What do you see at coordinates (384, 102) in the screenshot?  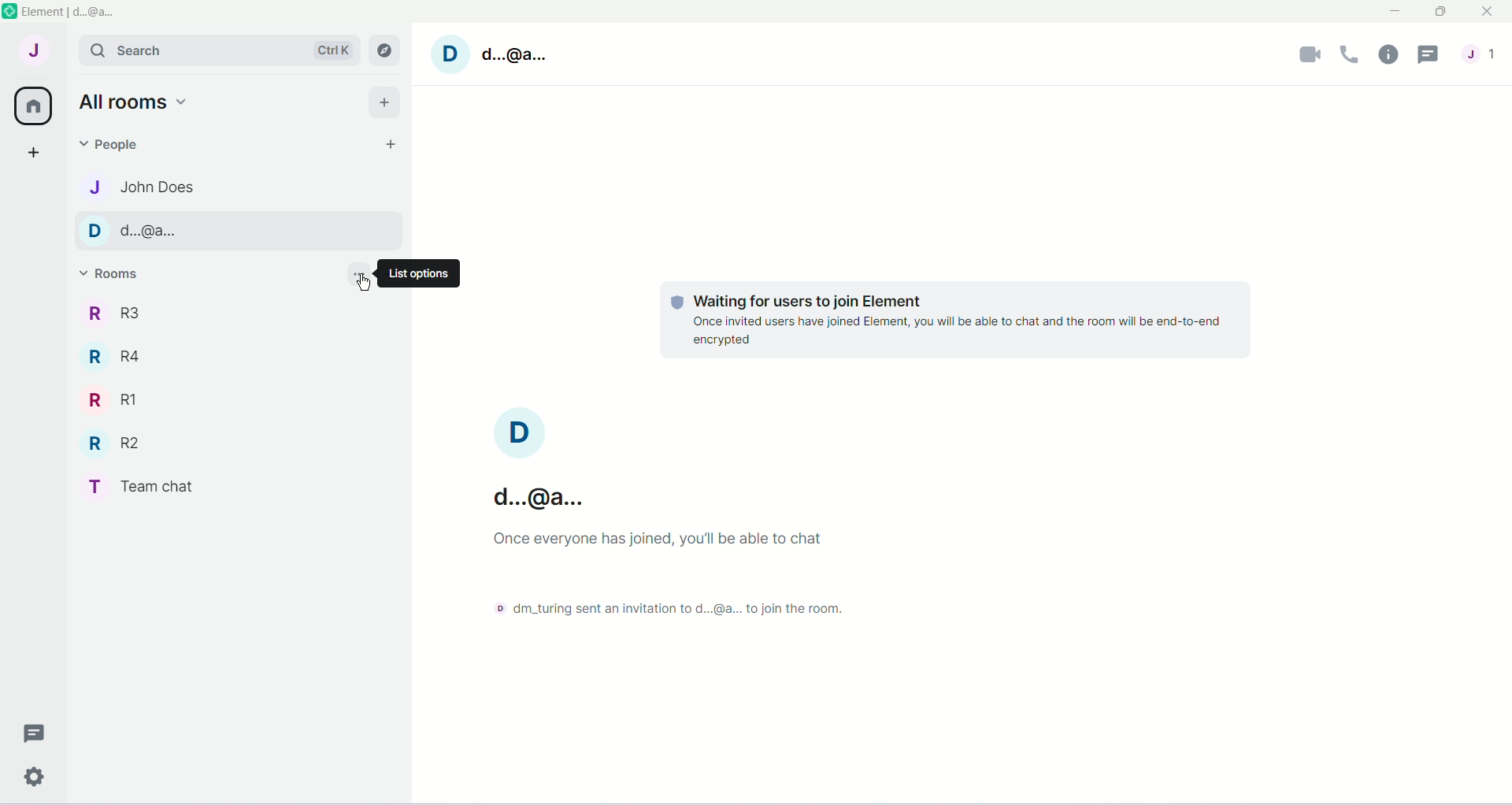 I see `Add` at bounding box center [384, 102].